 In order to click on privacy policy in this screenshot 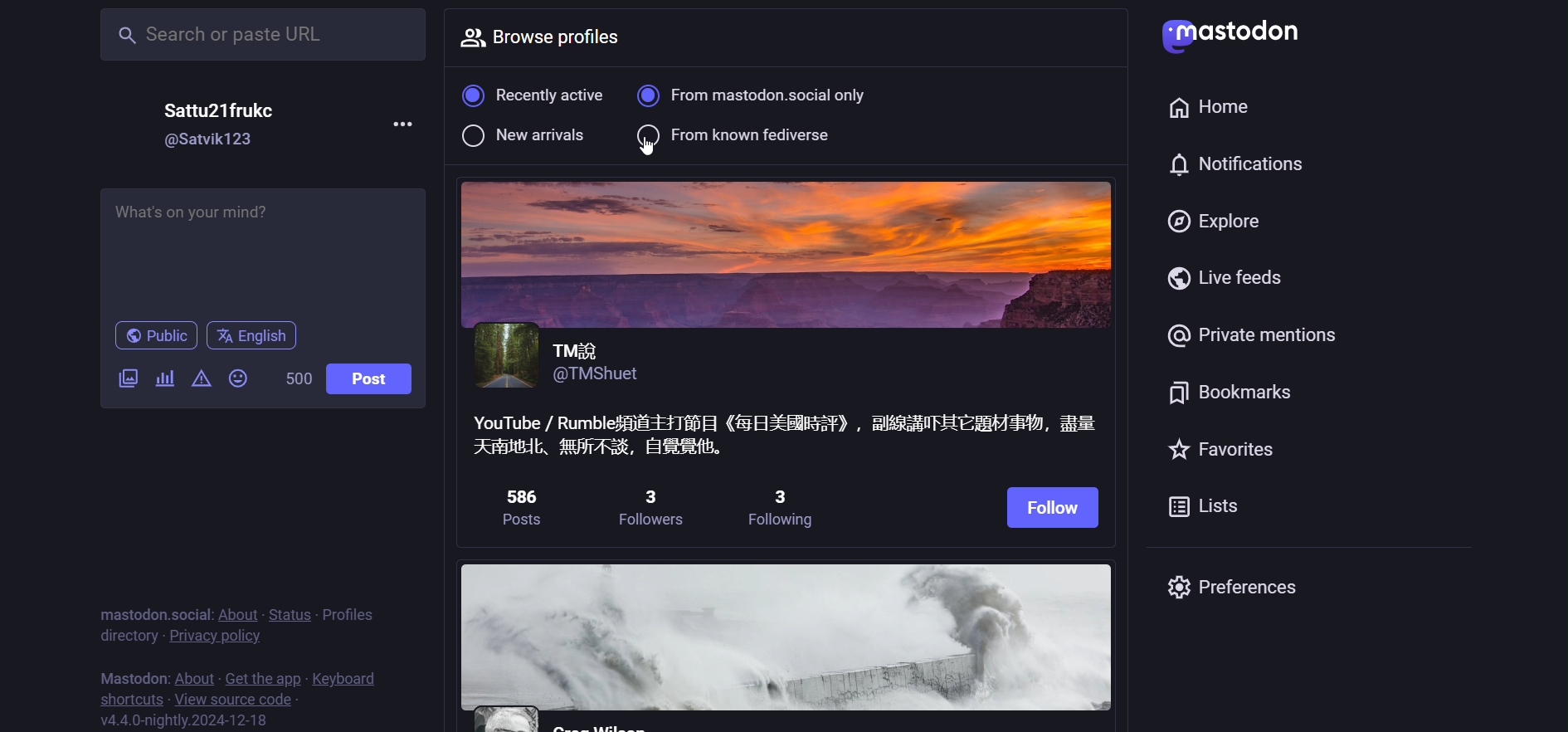, I will do `click(212, 633)`.